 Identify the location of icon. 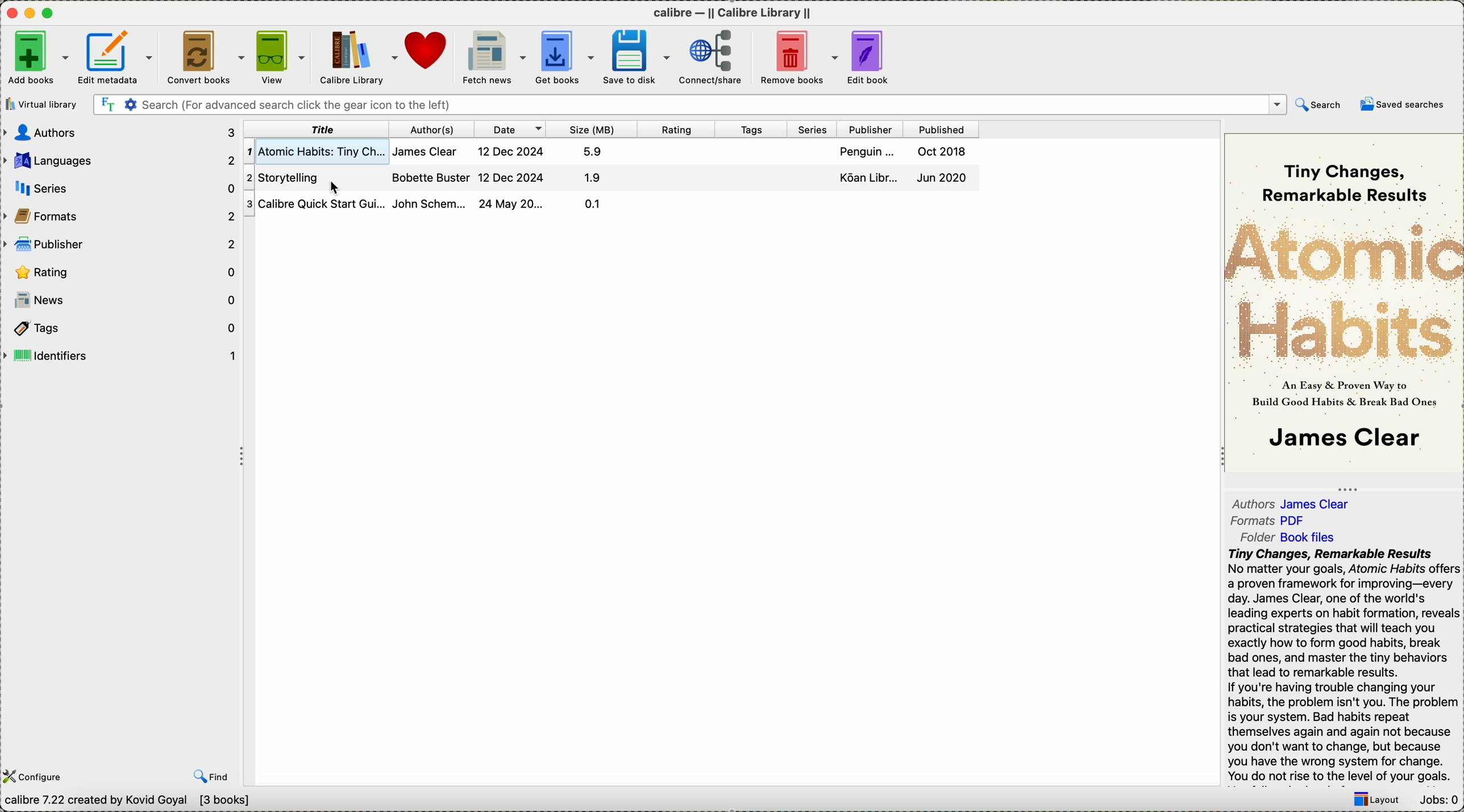
(30, 14).